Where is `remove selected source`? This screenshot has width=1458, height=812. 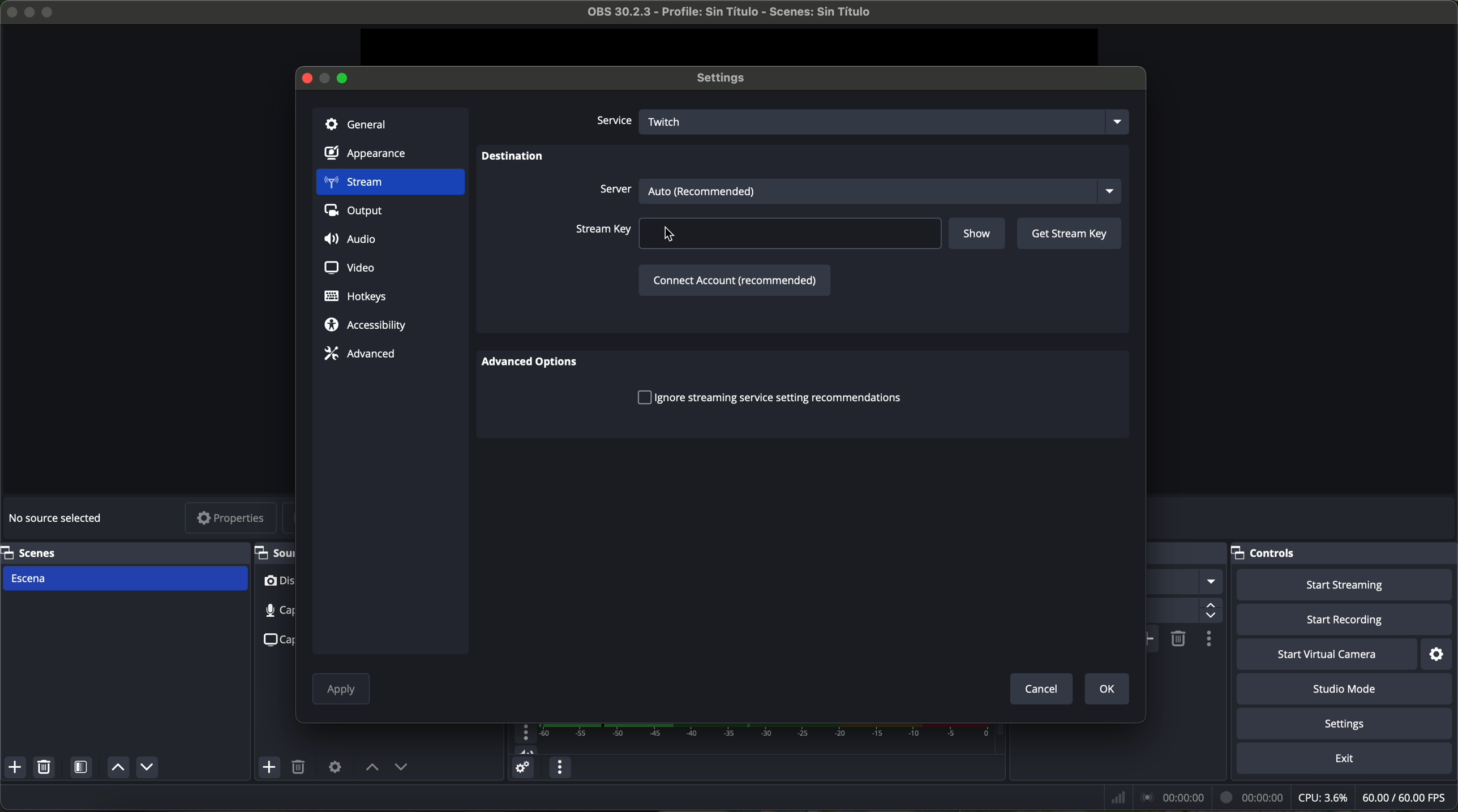 remove selected source is located at coordinates (301, 768).